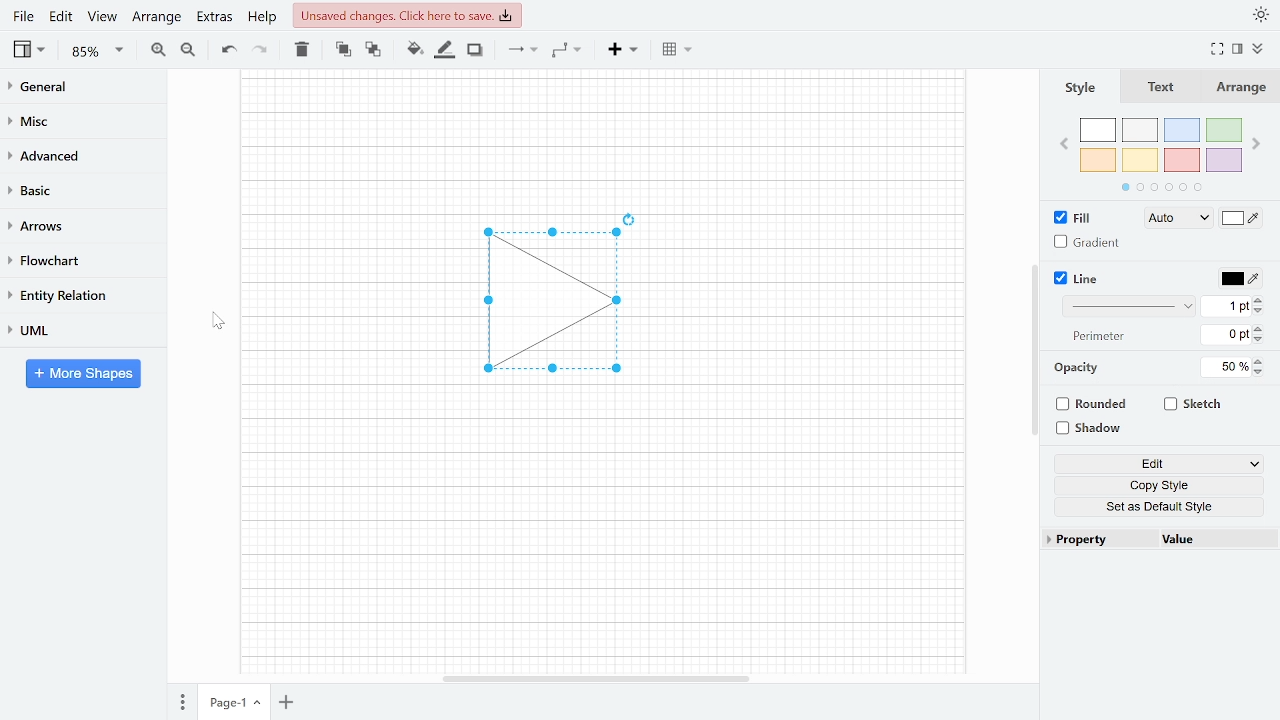 The height and width of the screenshot is (720, 1280). What do you see at coordinates (1226, 337) in the screenshot?
I see `Current perimeter` at bounding box center [1226, 337].